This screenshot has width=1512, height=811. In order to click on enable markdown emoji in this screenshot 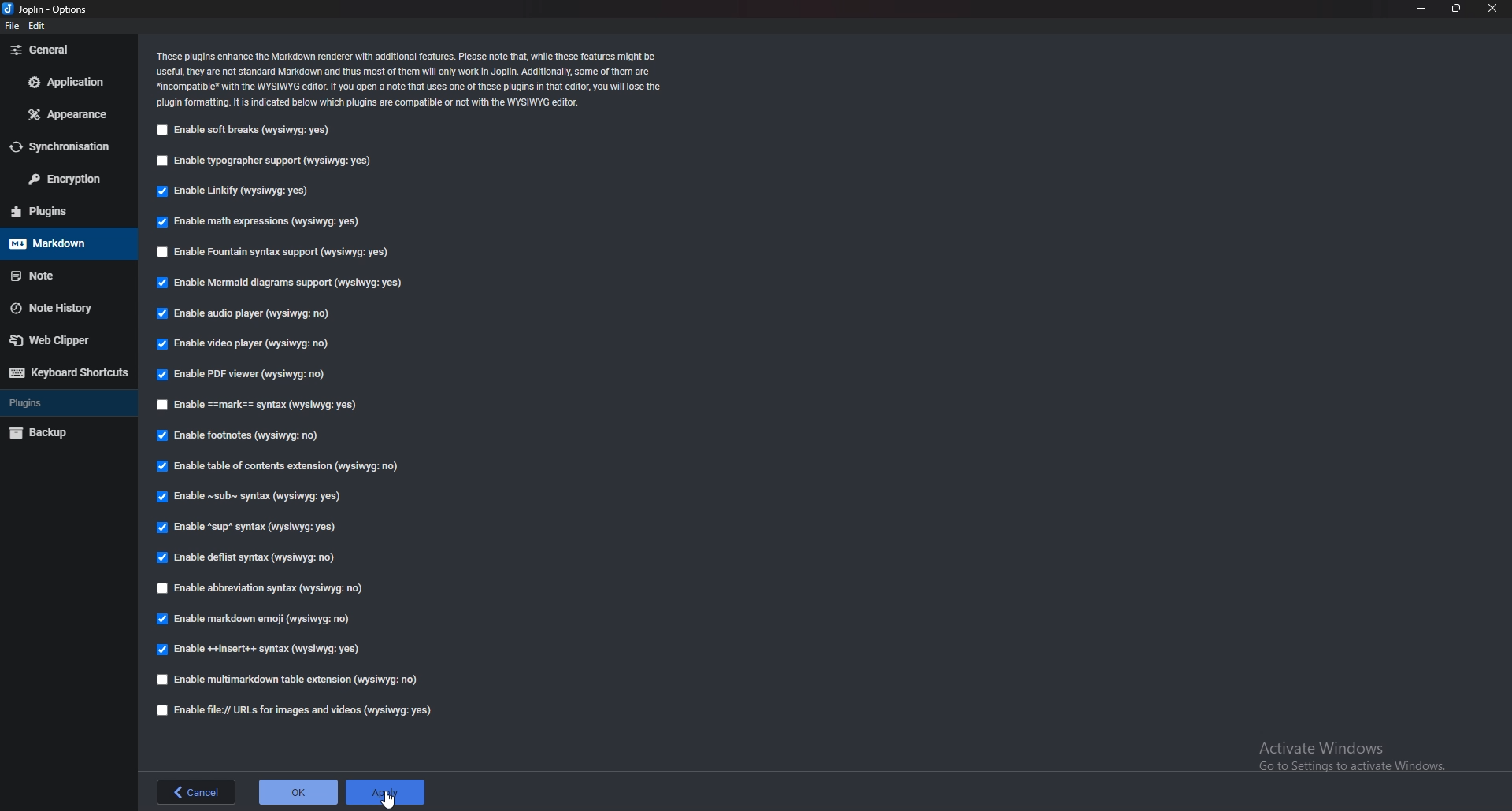, I will do `click(258, 619)`.